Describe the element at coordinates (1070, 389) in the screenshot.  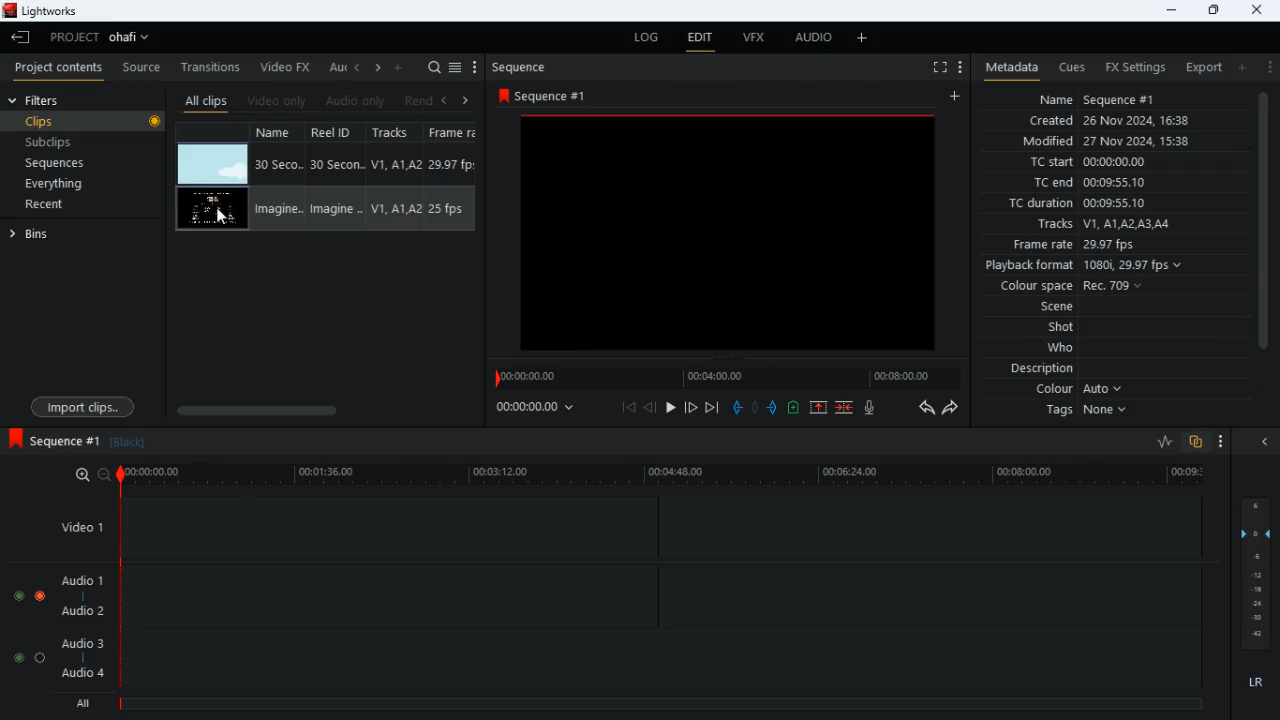
I see `colour` at that location.